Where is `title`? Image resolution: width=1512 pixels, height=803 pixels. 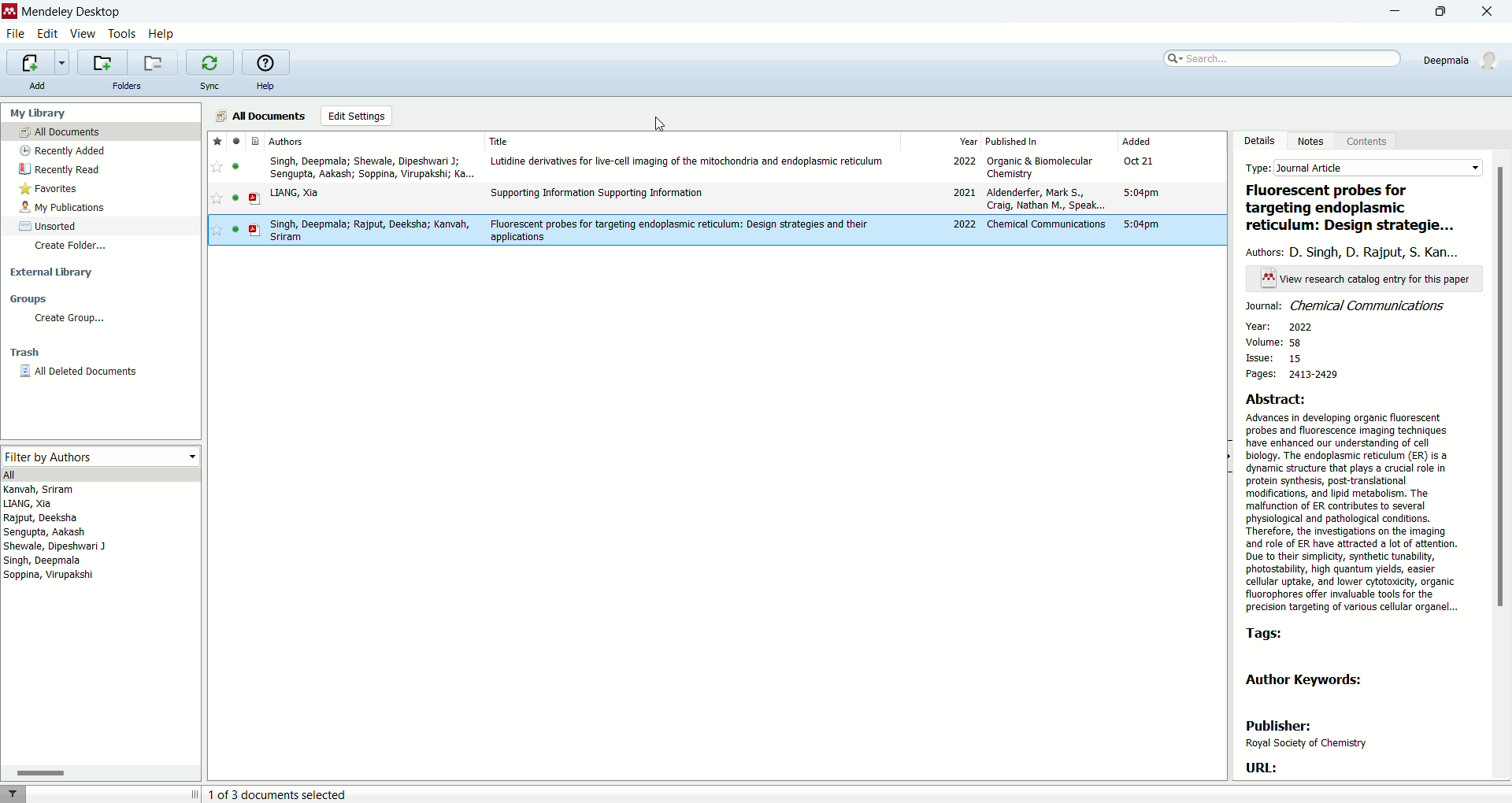
title is located at coordinates (1354, 209).